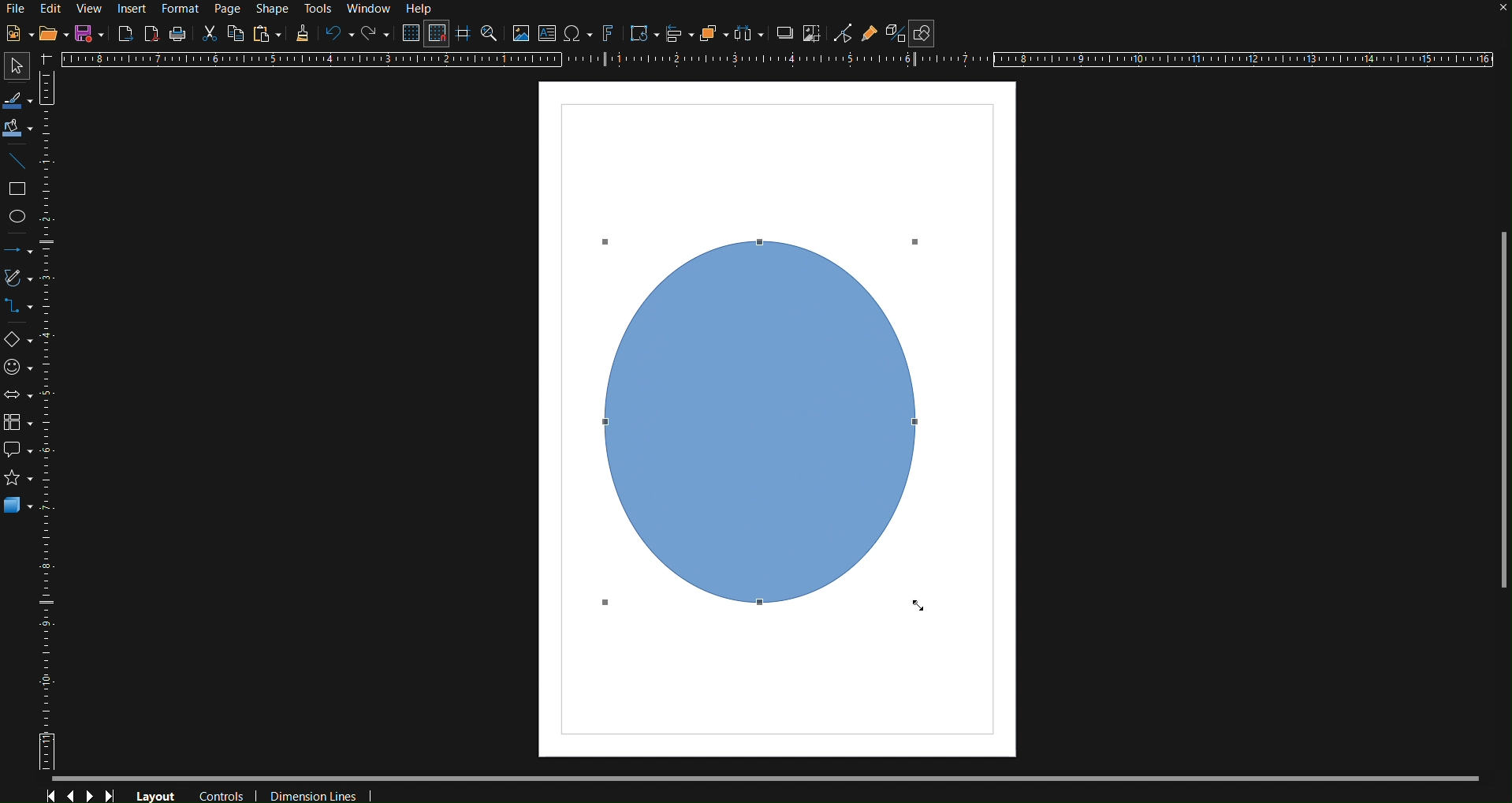 Image resolution: width=1512 pixels, height=803 pixels. I want to click on Export, so click(126, 32).